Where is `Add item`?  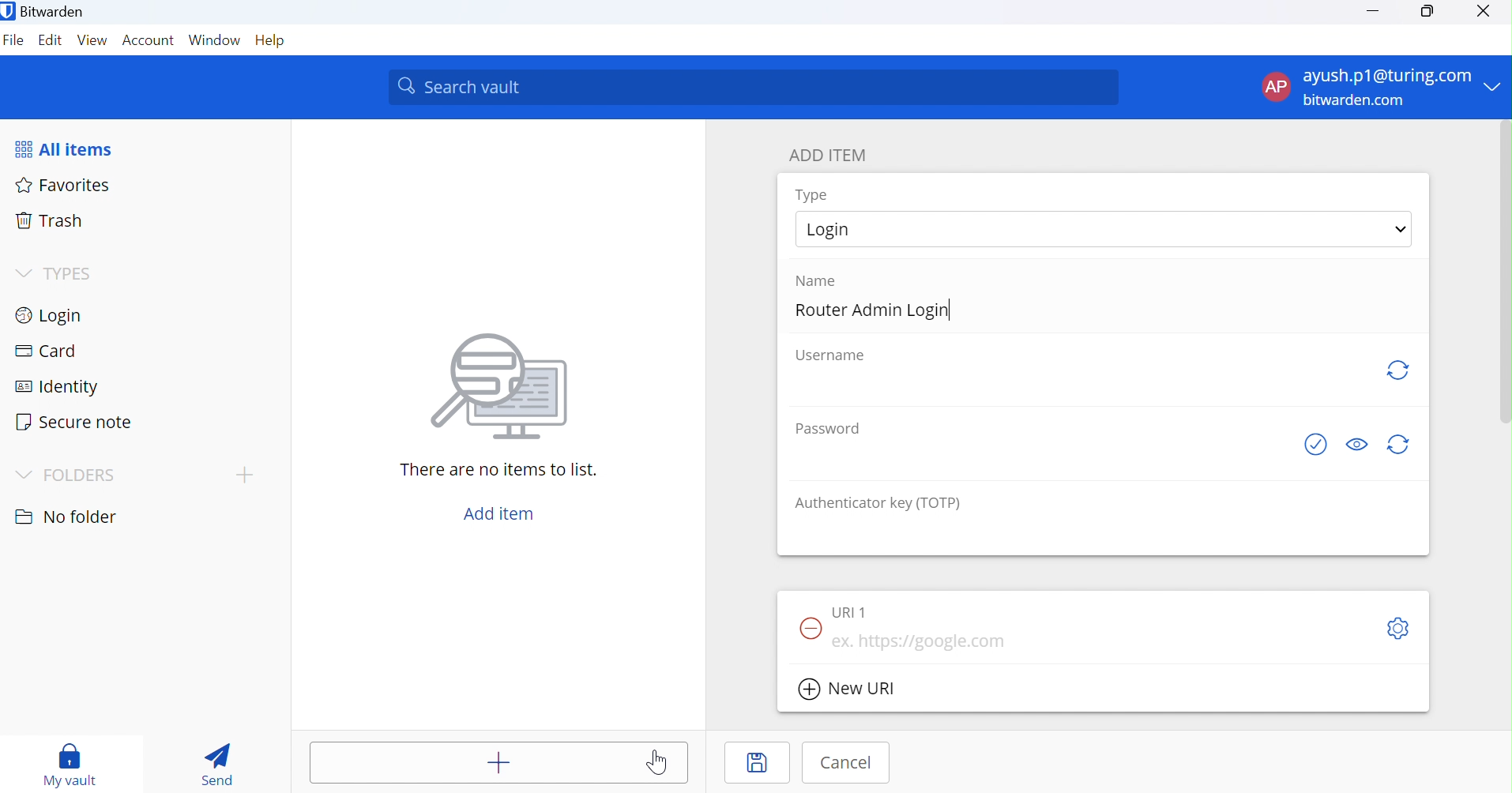 Add item is located at coordinates (498, 762).